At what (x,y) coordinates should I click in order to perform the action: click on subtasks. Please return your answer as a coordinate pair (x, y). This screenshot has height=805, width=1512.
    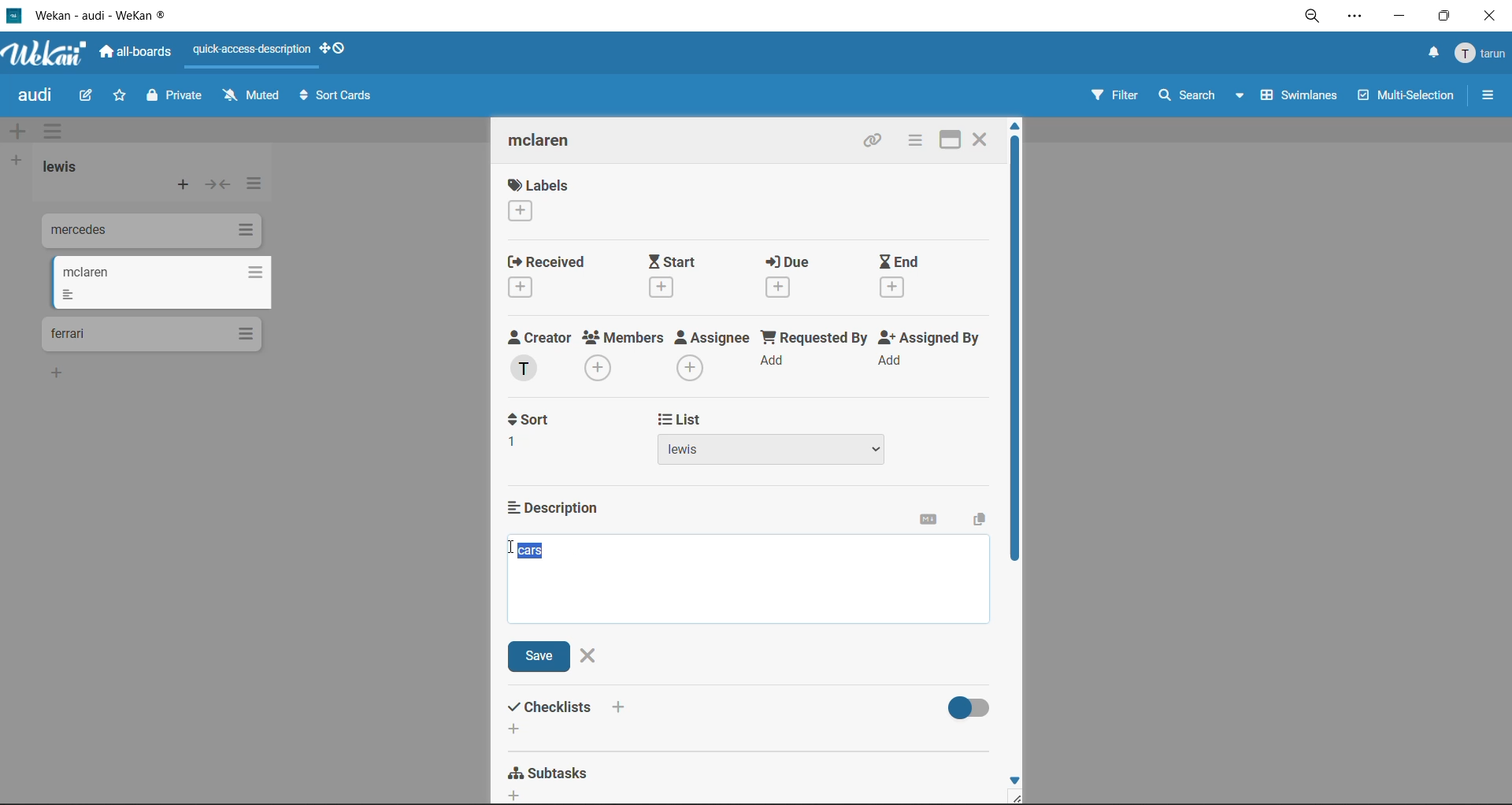
    Looking at the image, I should click on (555, 779).